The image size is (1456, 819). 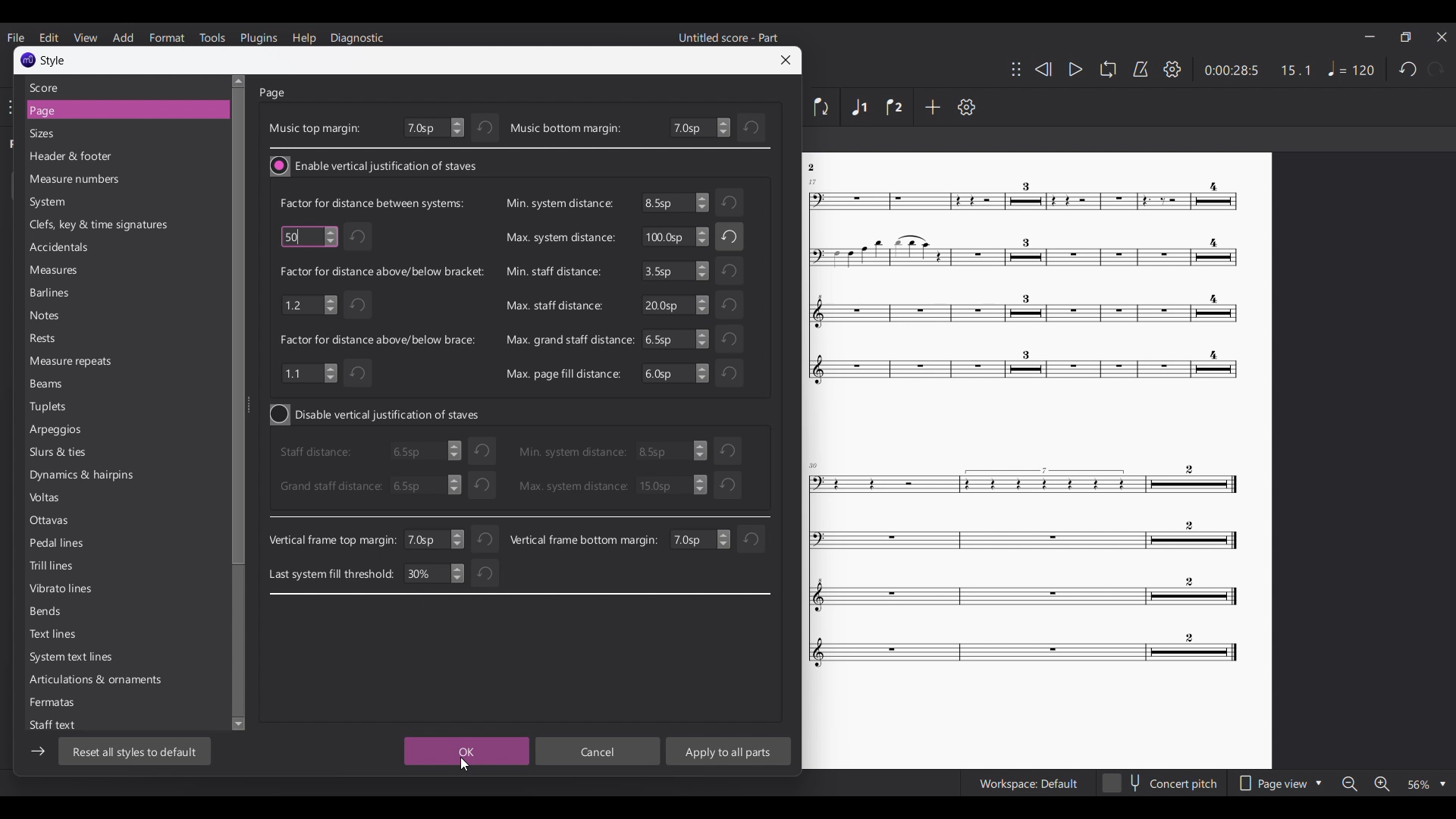 I want to click on 100 sp, so click(x=674, y=238).